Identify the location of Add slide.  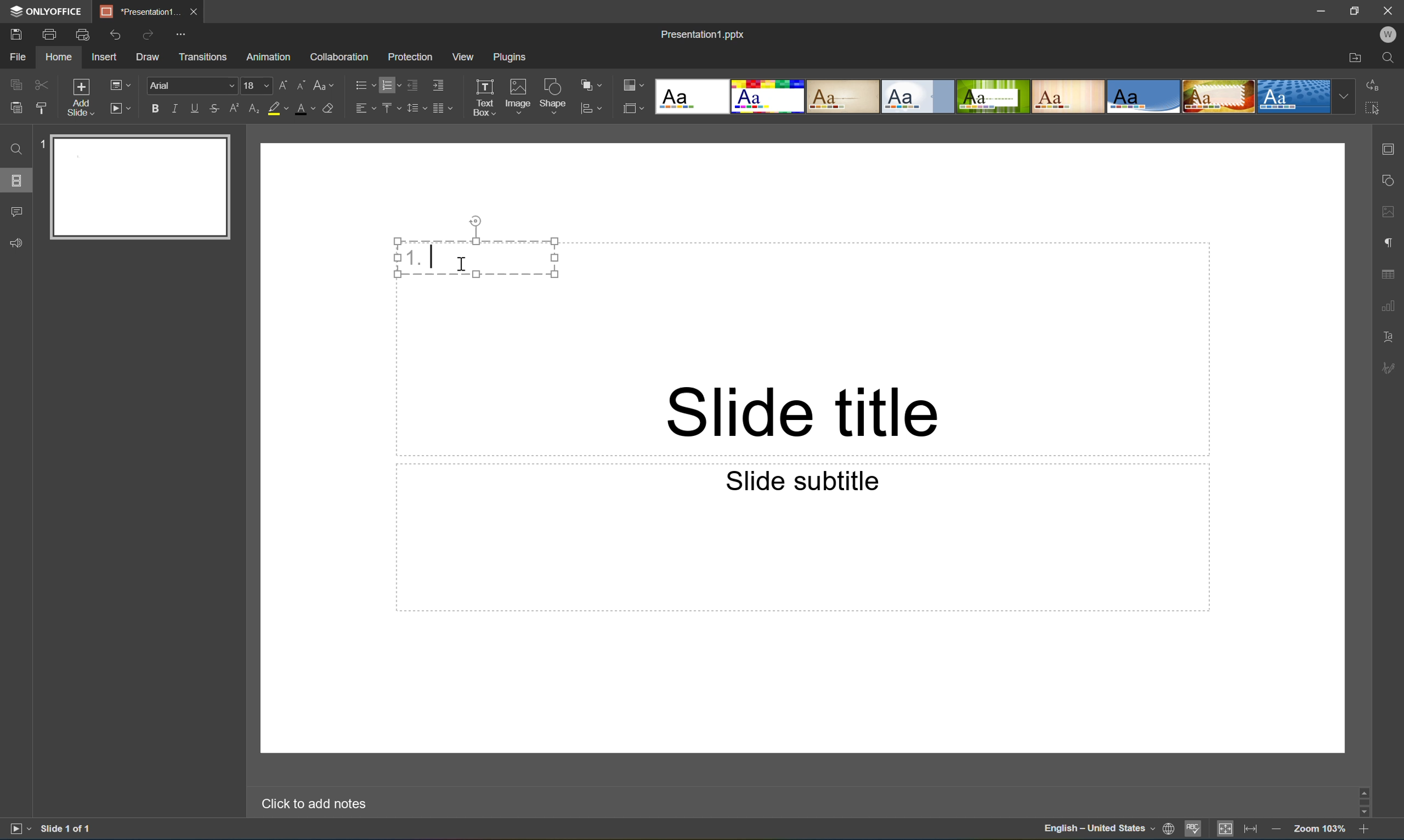
(79, 97).